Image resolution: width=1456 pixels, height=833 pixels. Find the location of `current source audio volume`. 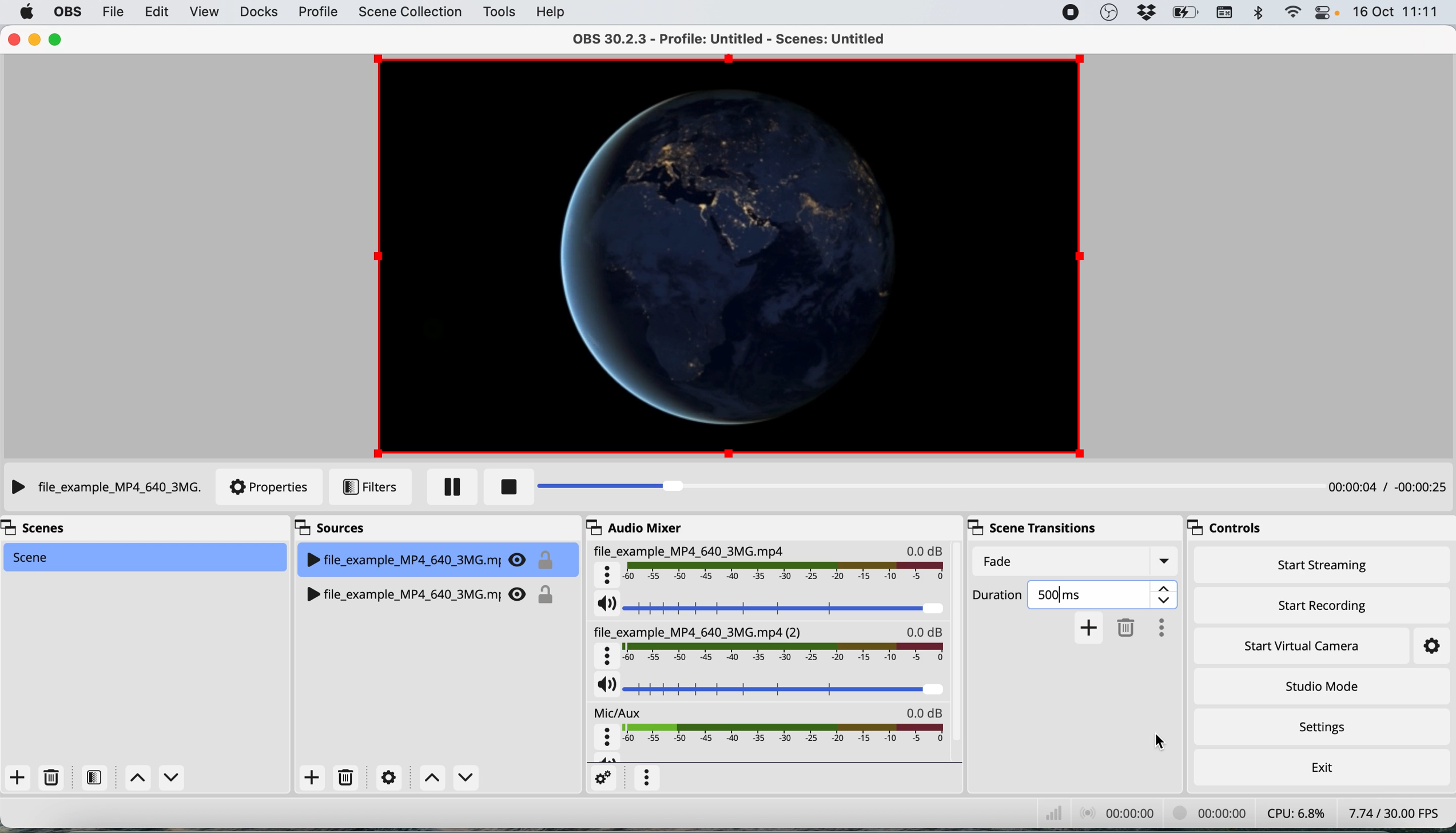

current source audio volume is located at coordinates (771, 606).